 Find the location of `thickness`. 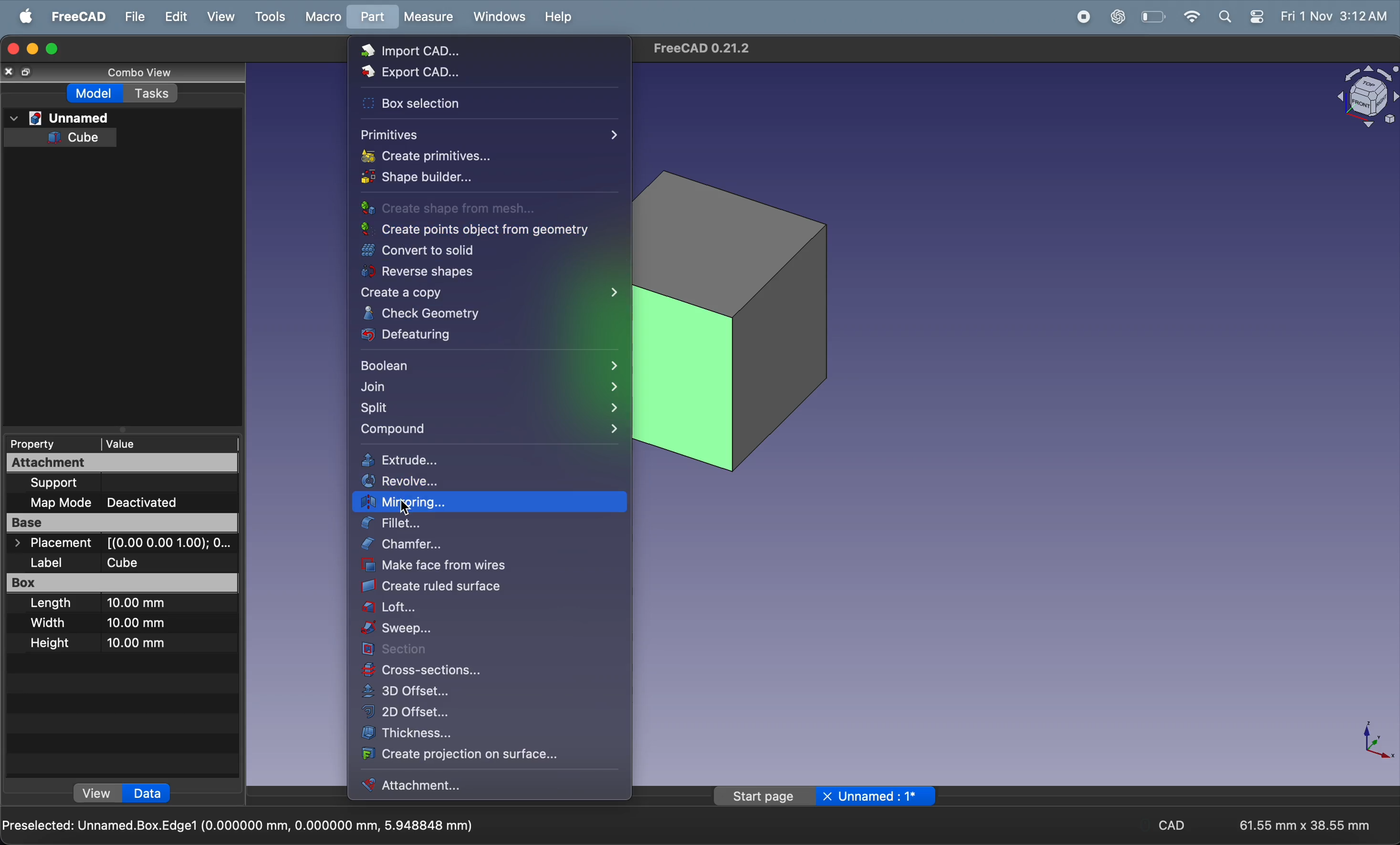

thickness is located at coordinates (486, 733).